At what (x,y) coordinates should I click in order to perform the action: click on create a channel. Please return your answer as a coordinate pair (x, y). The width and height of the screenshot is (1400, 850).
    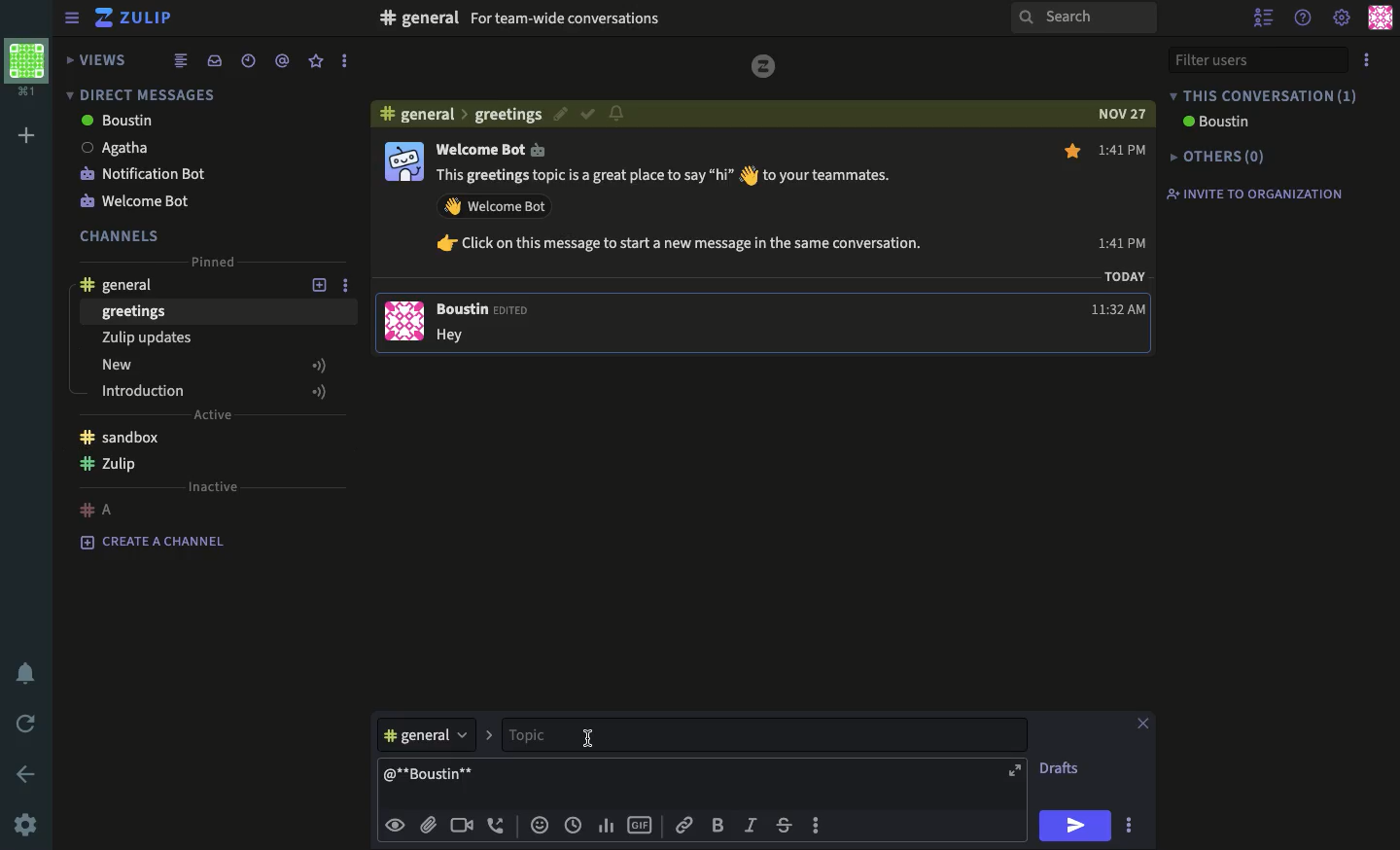
    Looking at the image, I should click on (153, 540).